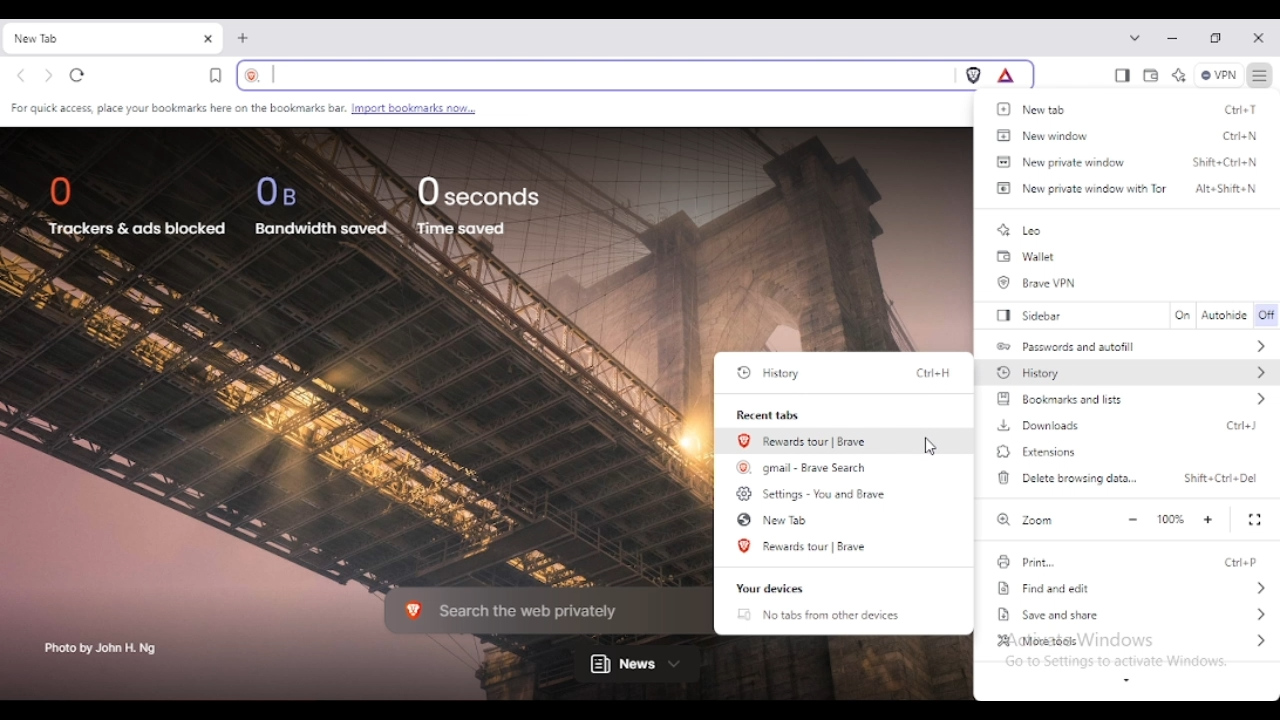 The image size is (1280, 720). Describe the element at coordinates (1256, 520) in the screenshot. I see `full screen` at that location.